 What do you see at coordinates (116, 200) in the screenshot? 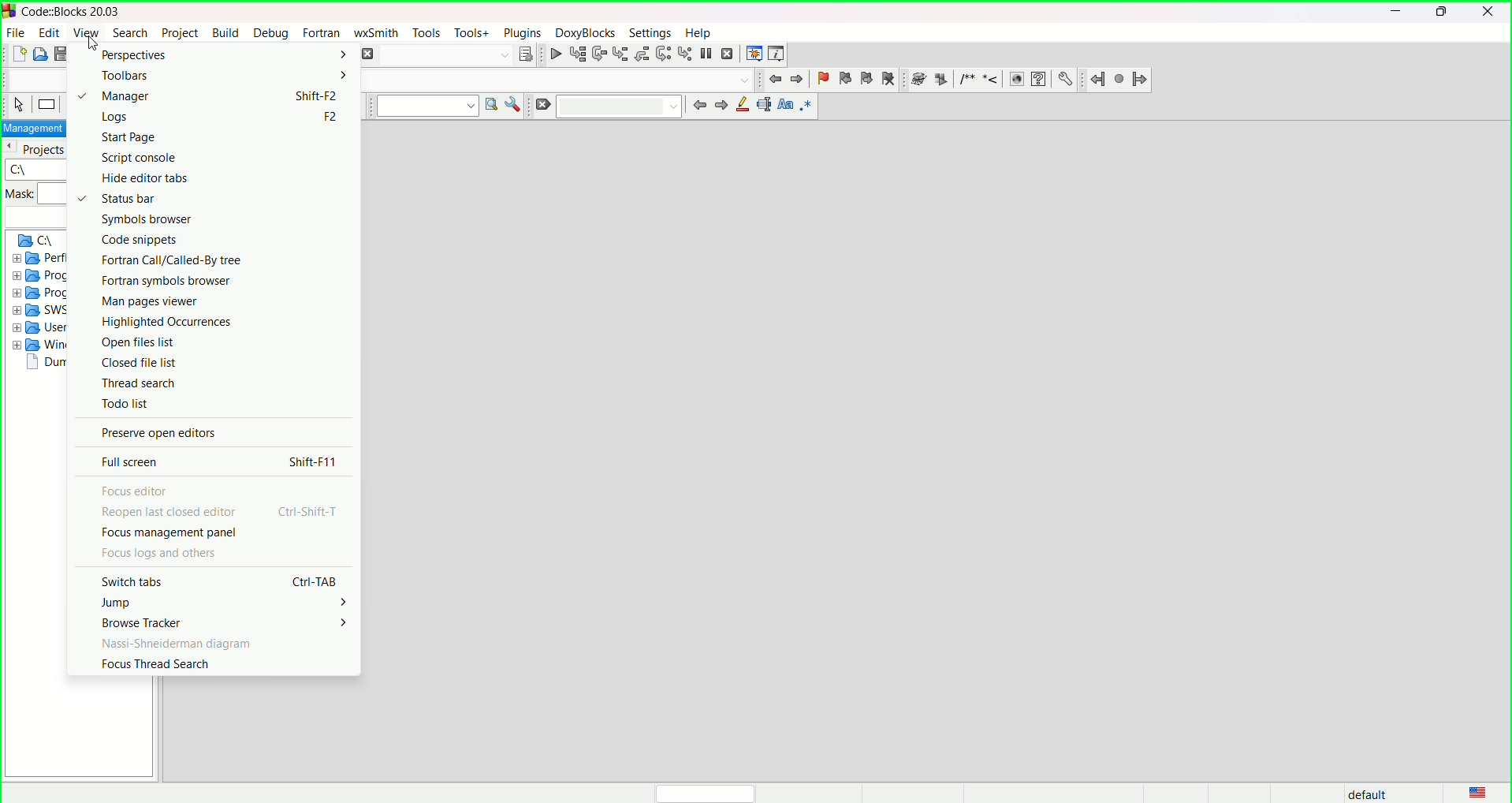
I see `status bar` at bounding box center [116, 200].